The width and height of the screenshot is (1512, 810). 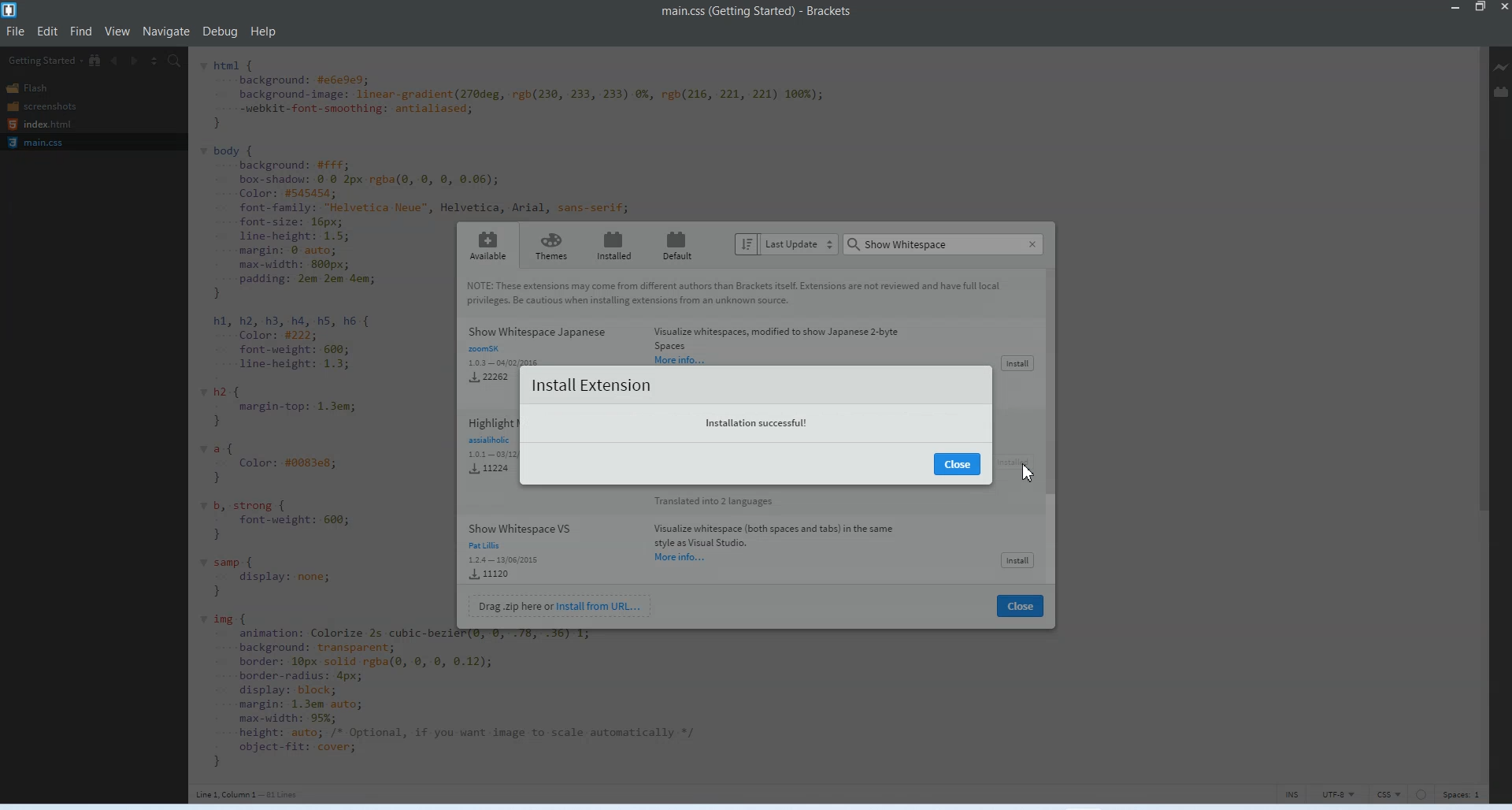 What do you see at coordinates (1480, 414) in the screenshot?
I see `Vertical Scroll bar` at bounding box center [1480, 414].